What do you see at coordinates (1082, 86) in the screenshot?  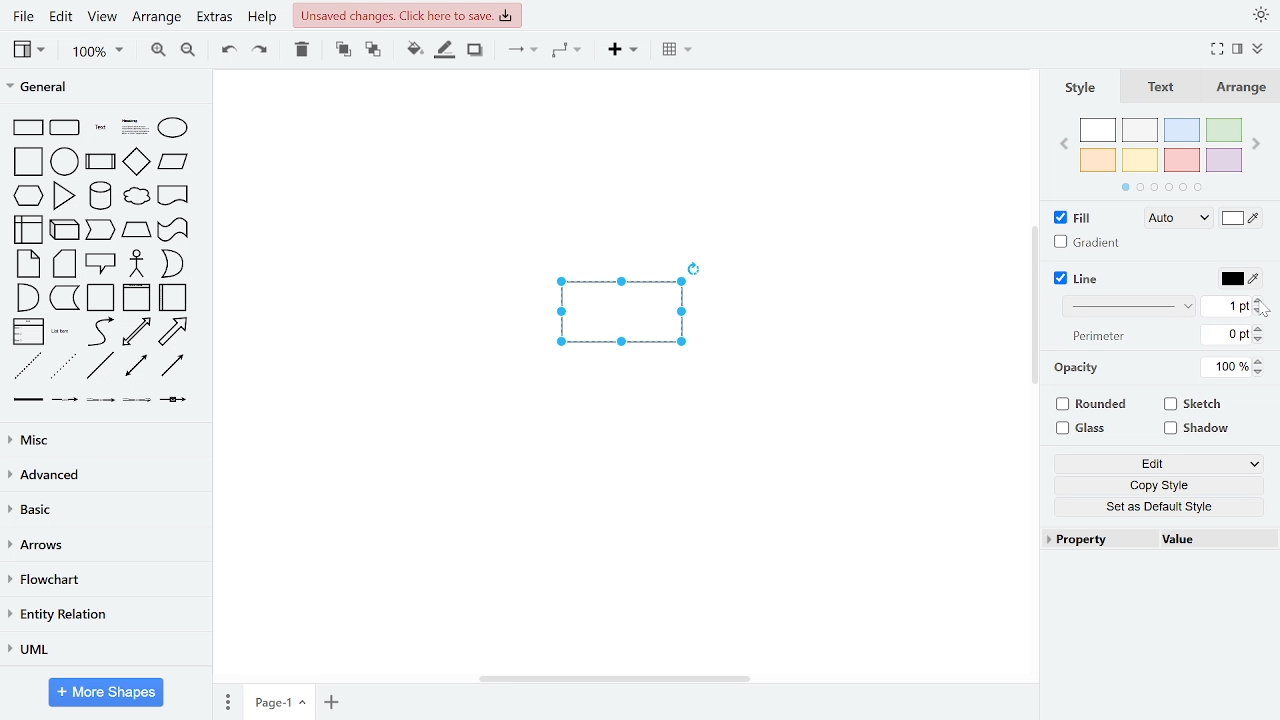 I see `style` at bounding box center [1082, 86].